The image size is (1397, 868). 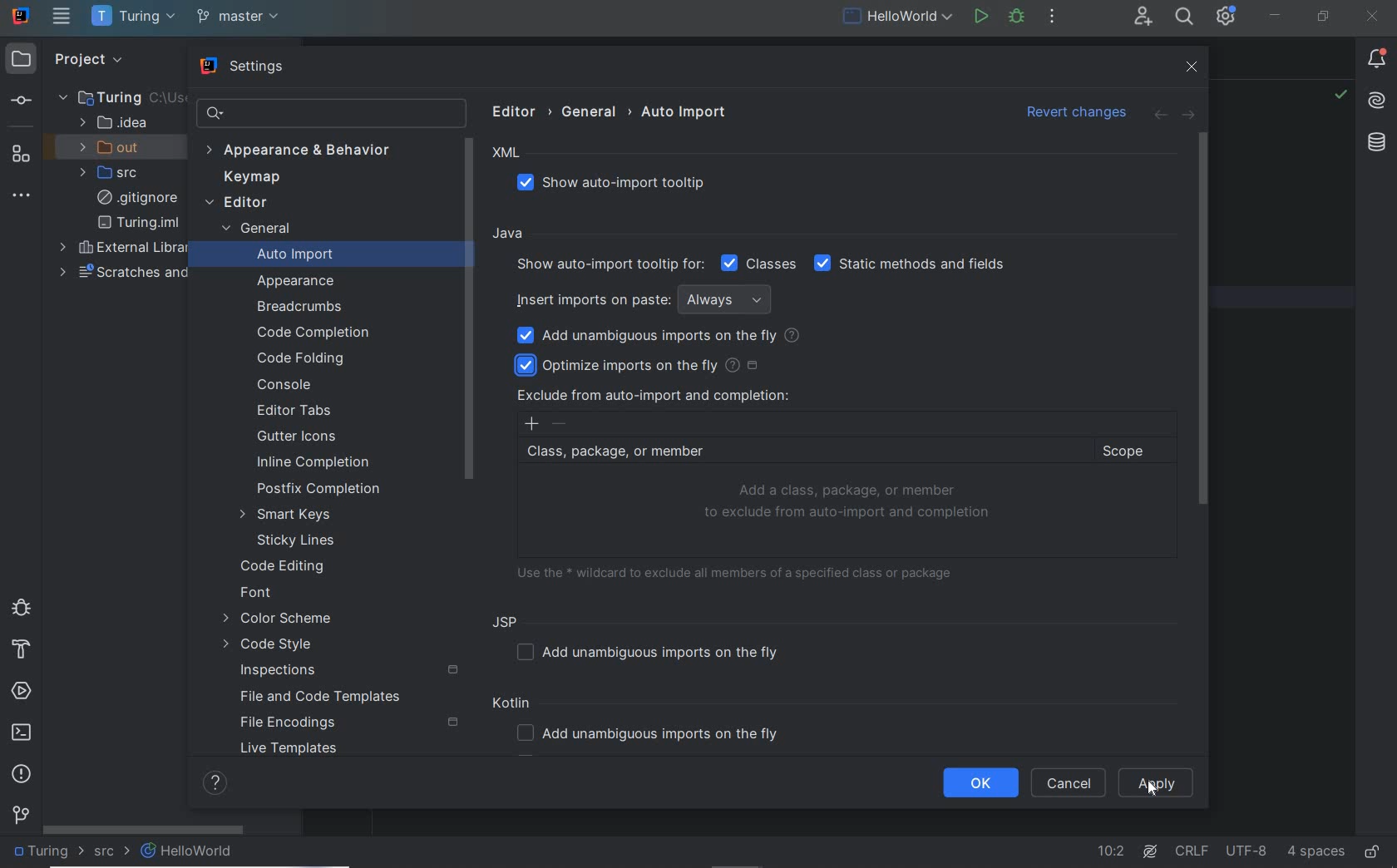 What do you see at coordinates (560, 424) in the screenshot?
I see `REMOVE` at bounding box center [560, 424].